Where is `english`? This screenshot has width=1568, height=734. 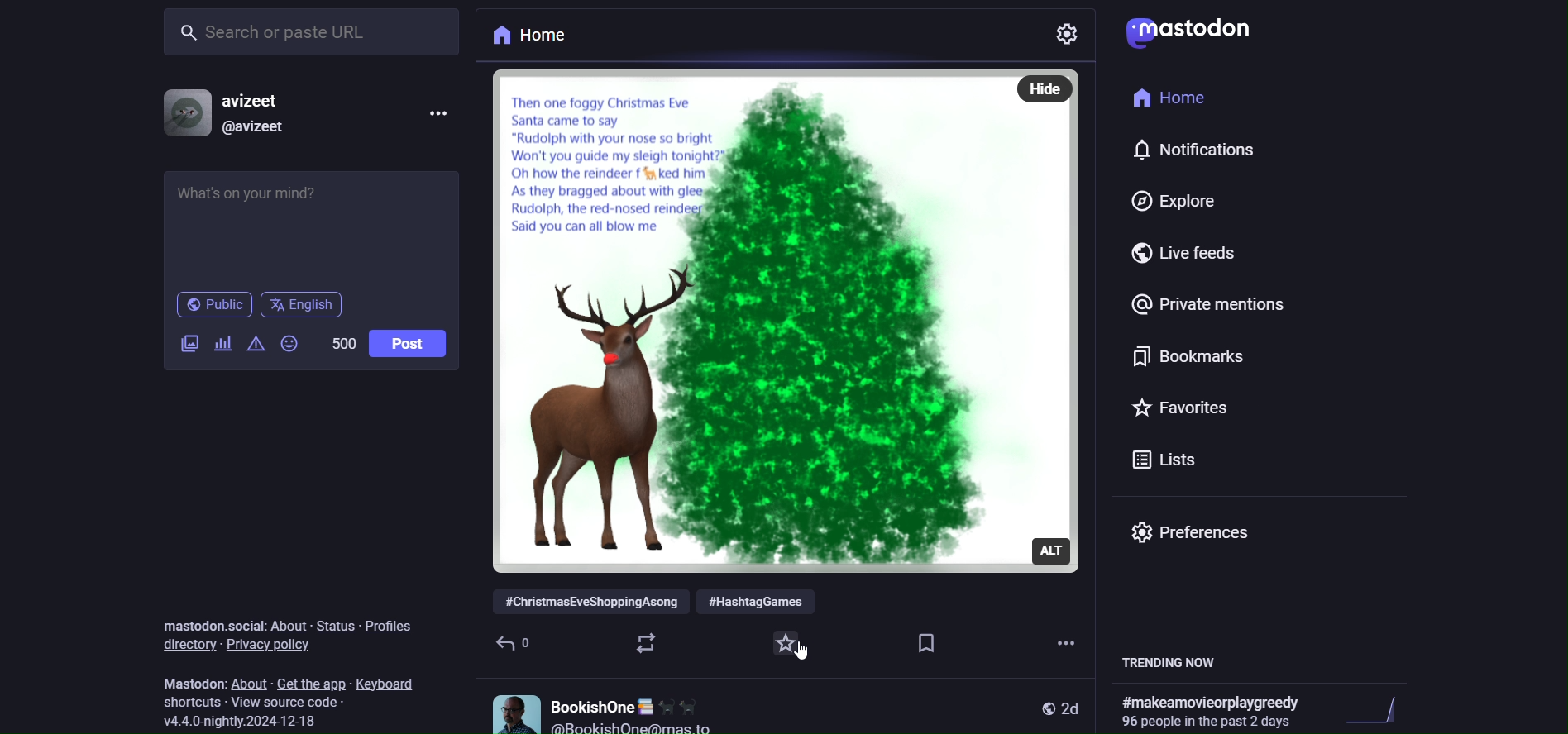 english is located at coordinates (304, 304).